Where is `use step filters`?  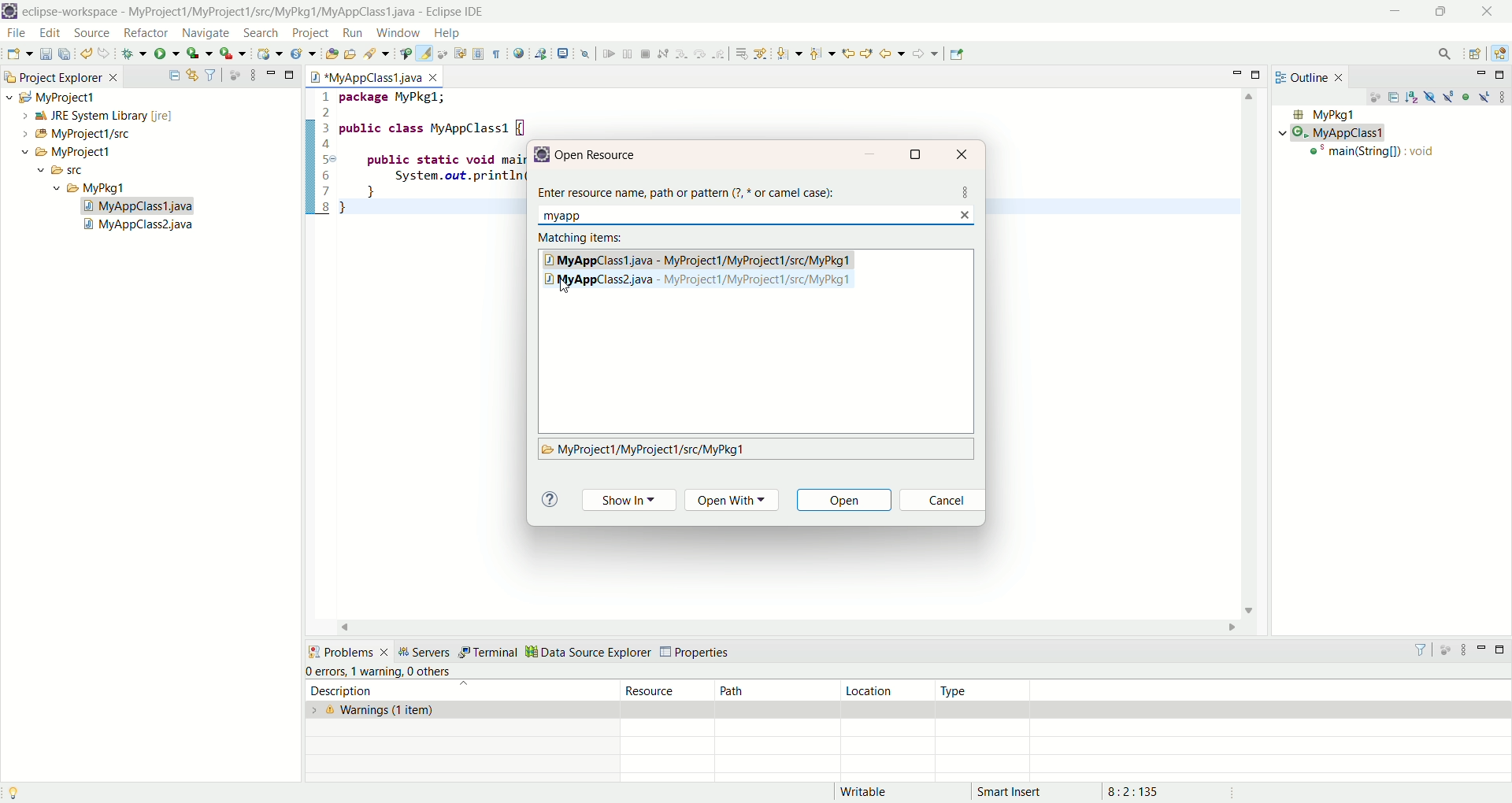
use step filters is located at coordinates (760, 54).